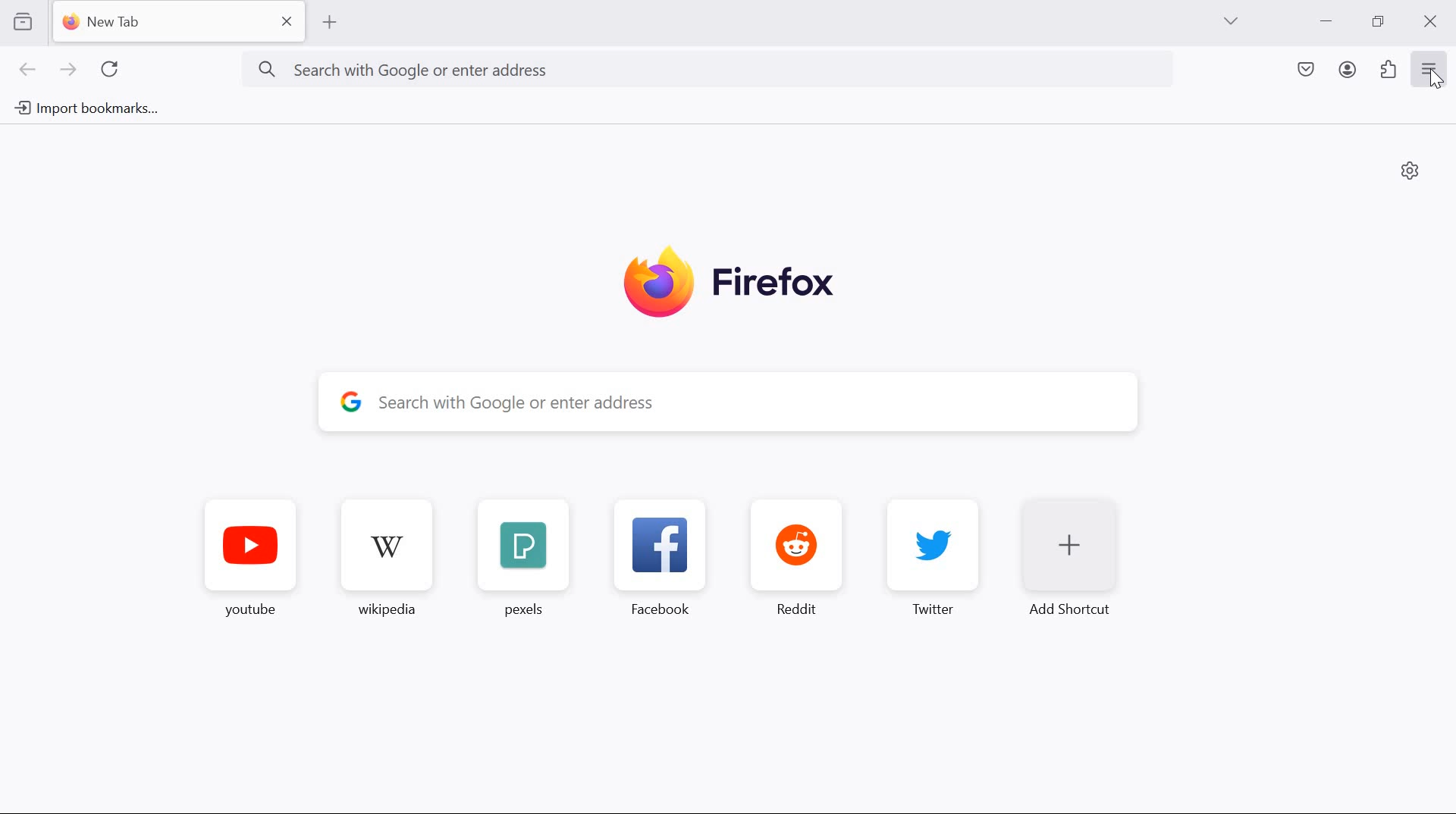 This screenshot has width=1456, height=814. What do you see at coordinates (1075, 562) in the screenshot?
I see `Add Shortcut` at bounding box center [1075, 562].